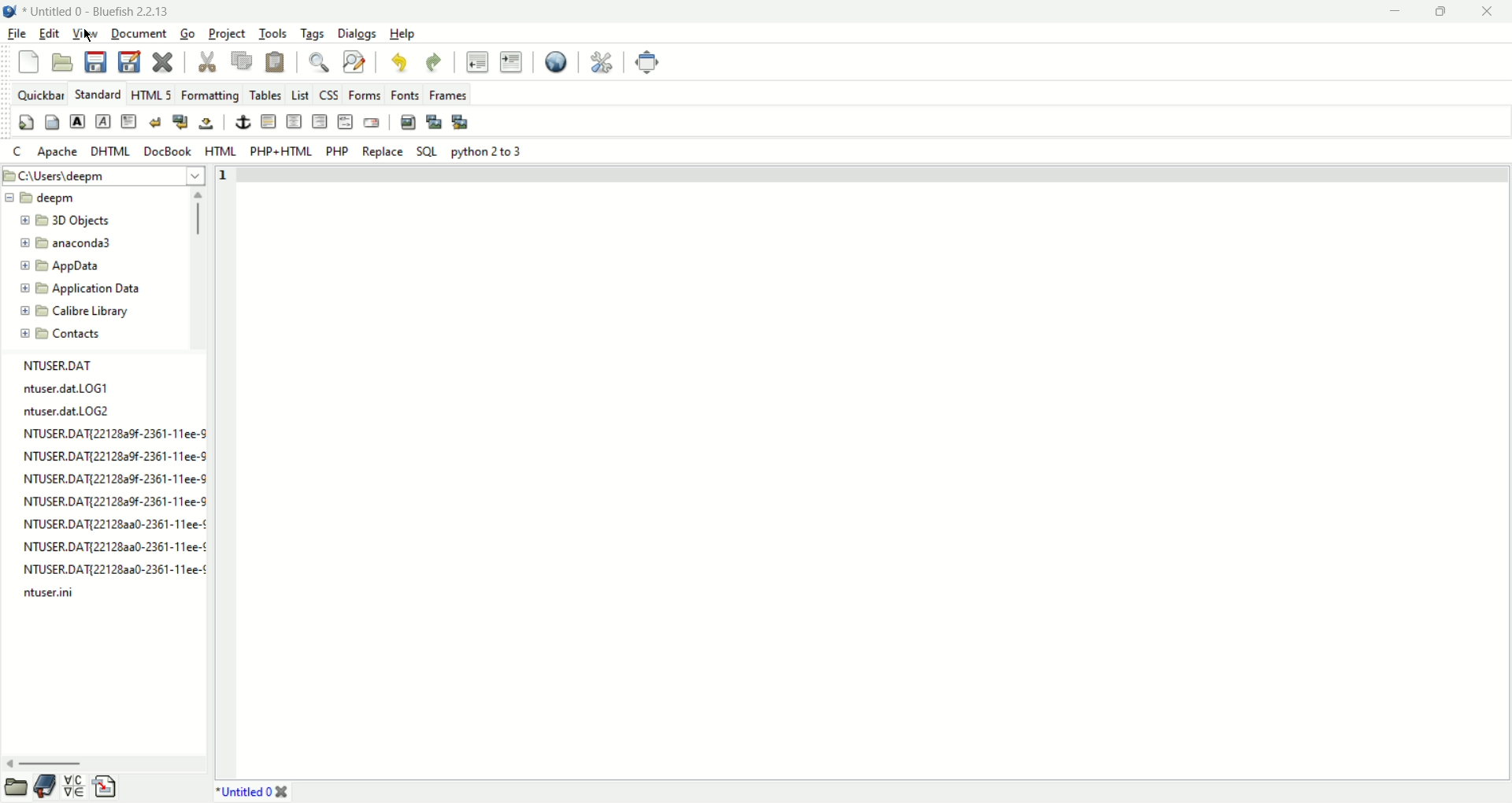 This screenshot has width=1512, height=803. Describe the element at coordinates (102, 121) in the screenshot. I see `emphasis` at that location.